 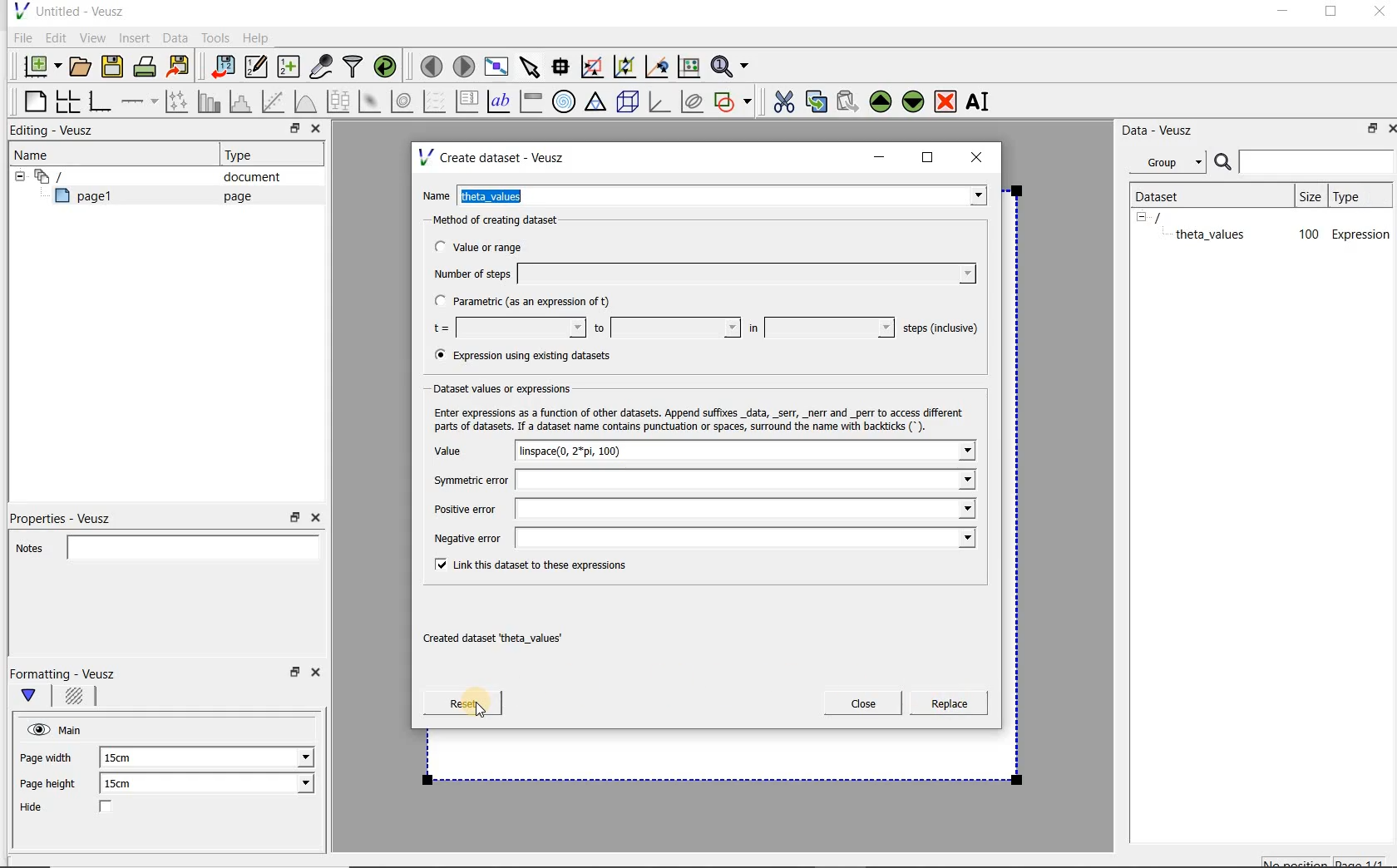 I want to click on open a document, so click(x=82, y=65).